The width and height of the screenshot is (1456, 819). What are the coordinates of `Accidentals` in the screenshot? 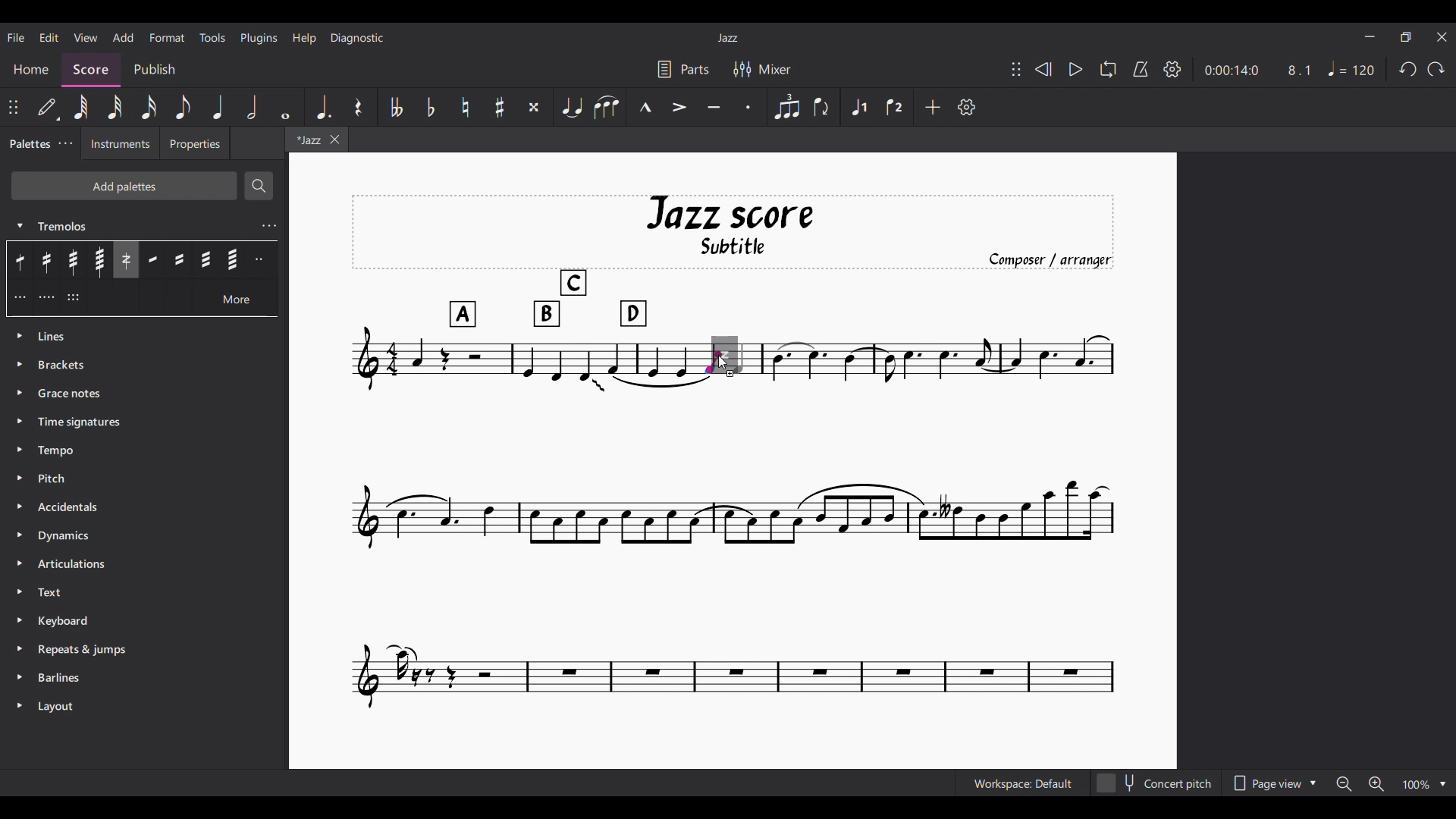 It's located at (146, 507).